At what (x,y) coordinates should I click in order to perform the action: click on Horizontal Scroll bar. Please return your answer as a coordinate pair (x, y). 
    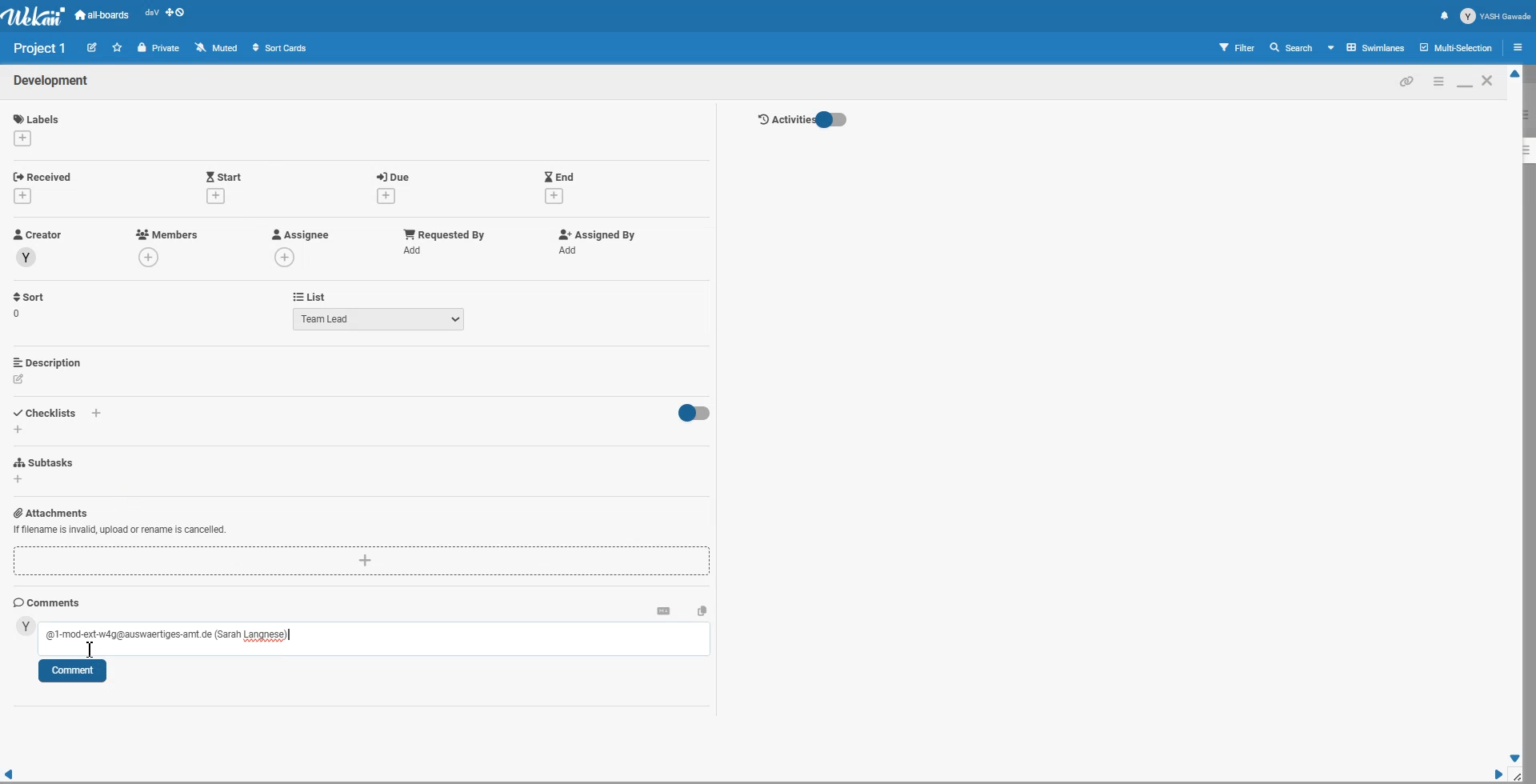
    Looking at the image, I should click on (752, 775).